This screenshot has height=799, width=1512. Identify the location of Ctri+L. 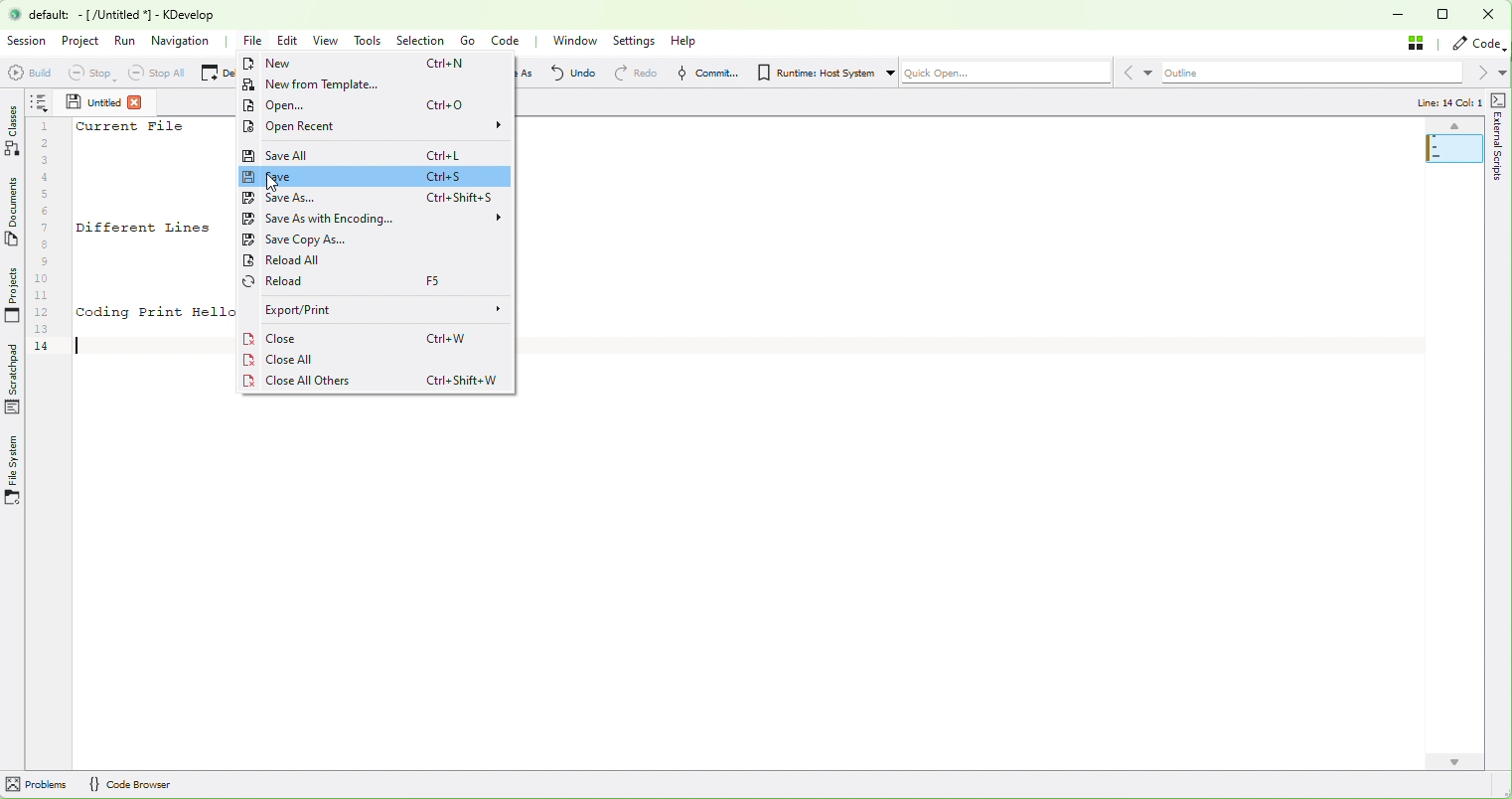
(446, 156).